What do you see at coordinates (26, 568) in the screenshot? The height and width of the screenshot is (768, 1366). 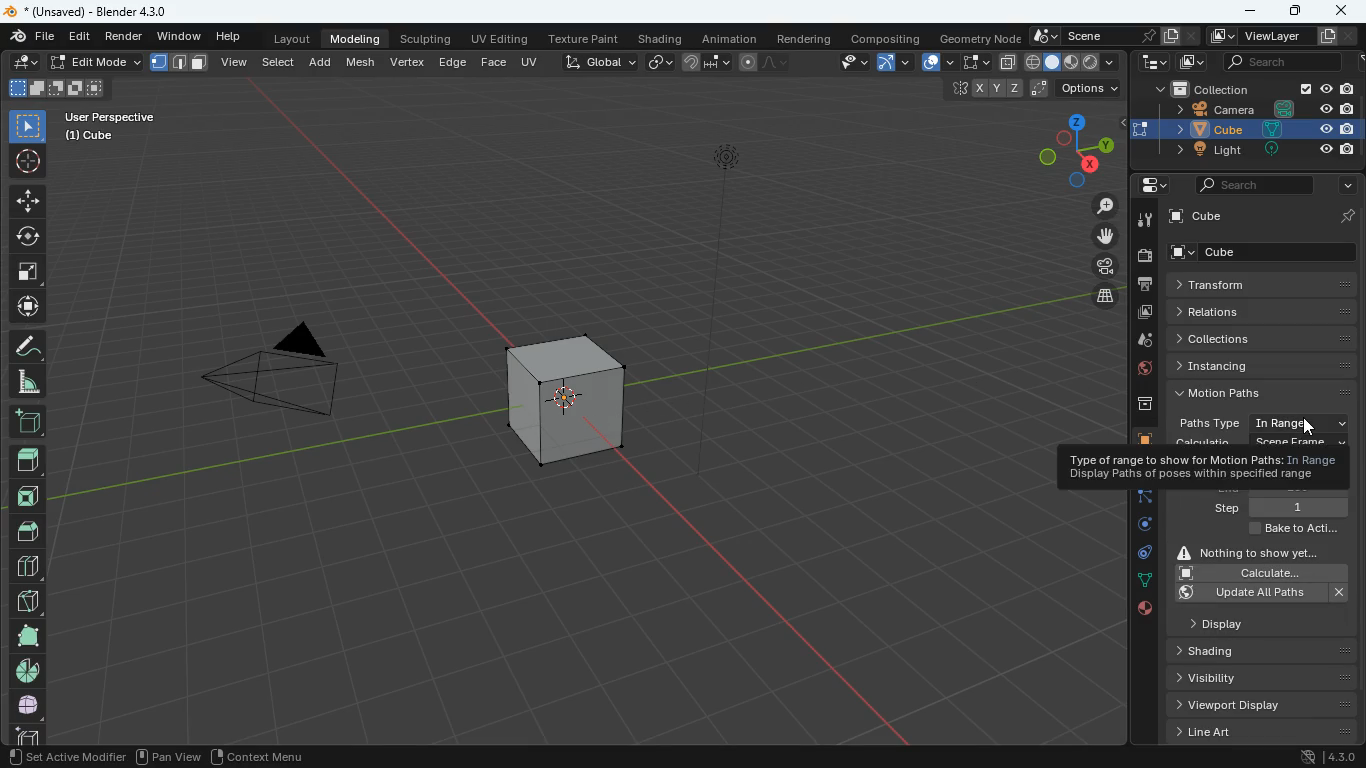 I see `blocks` at bounding box center [26, 568].